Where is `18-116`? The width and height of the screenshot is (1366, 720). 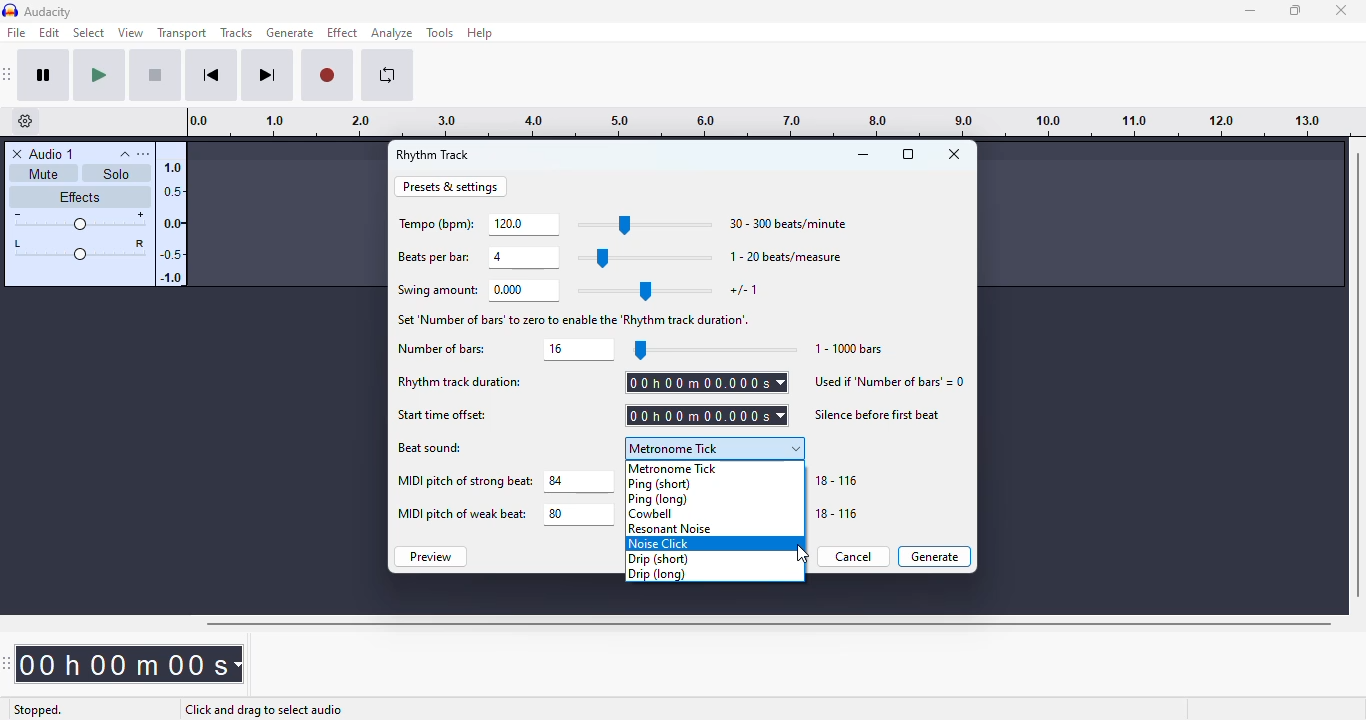 18-116 is located at coordinates (837, 481).